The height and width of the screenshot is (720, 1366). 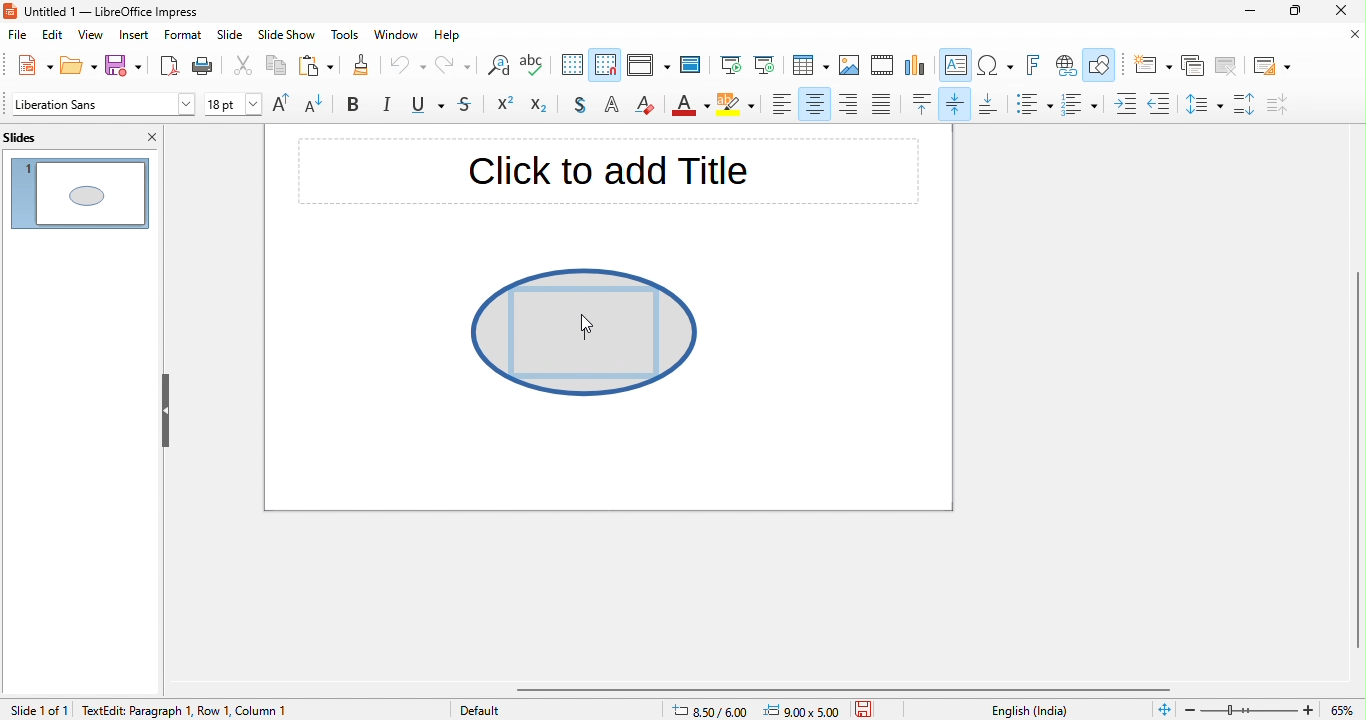 I want to click on close, so click(x=1346, y=12).